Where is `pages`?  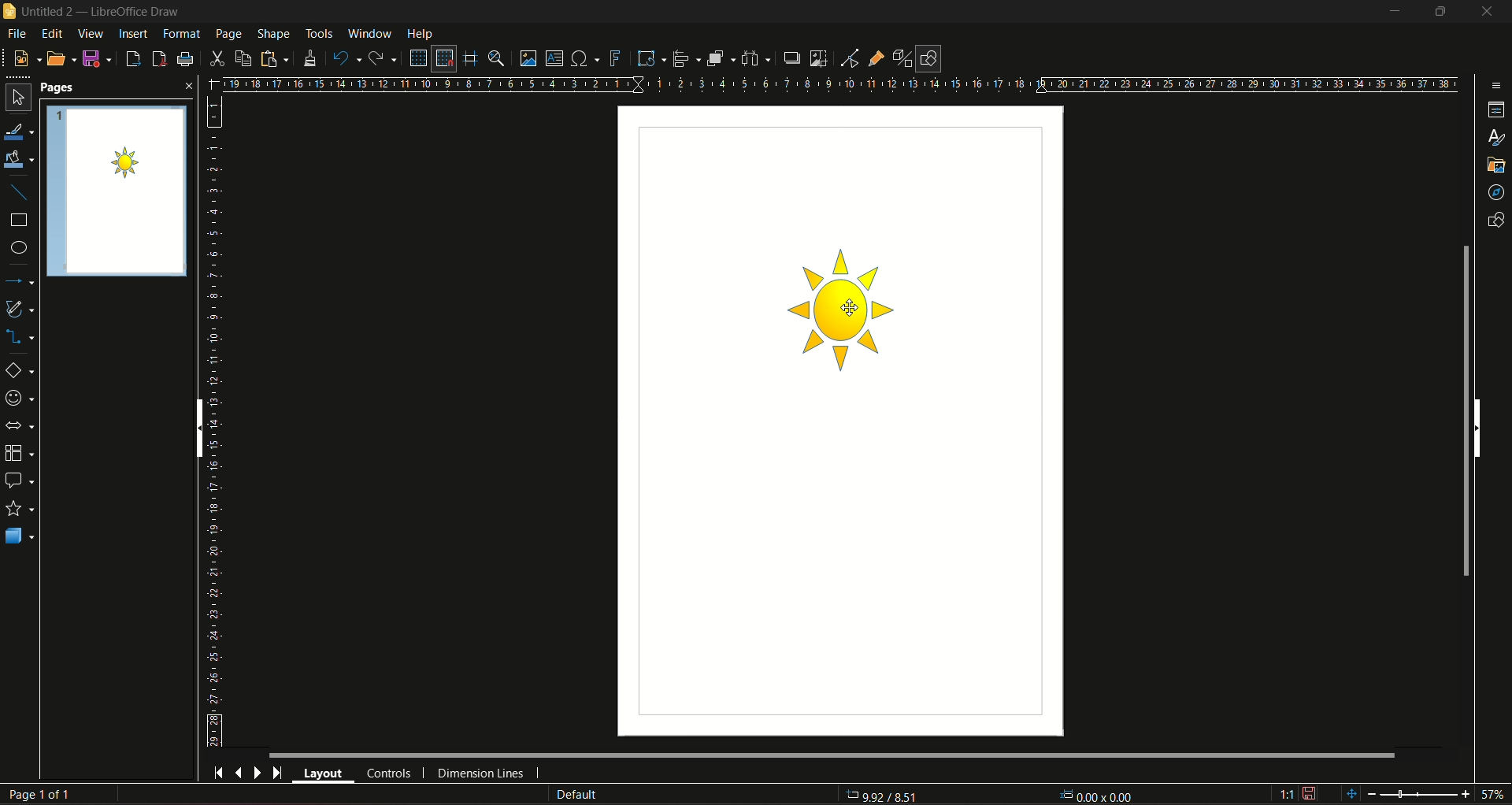 pages is located at coordinates (69, 87).